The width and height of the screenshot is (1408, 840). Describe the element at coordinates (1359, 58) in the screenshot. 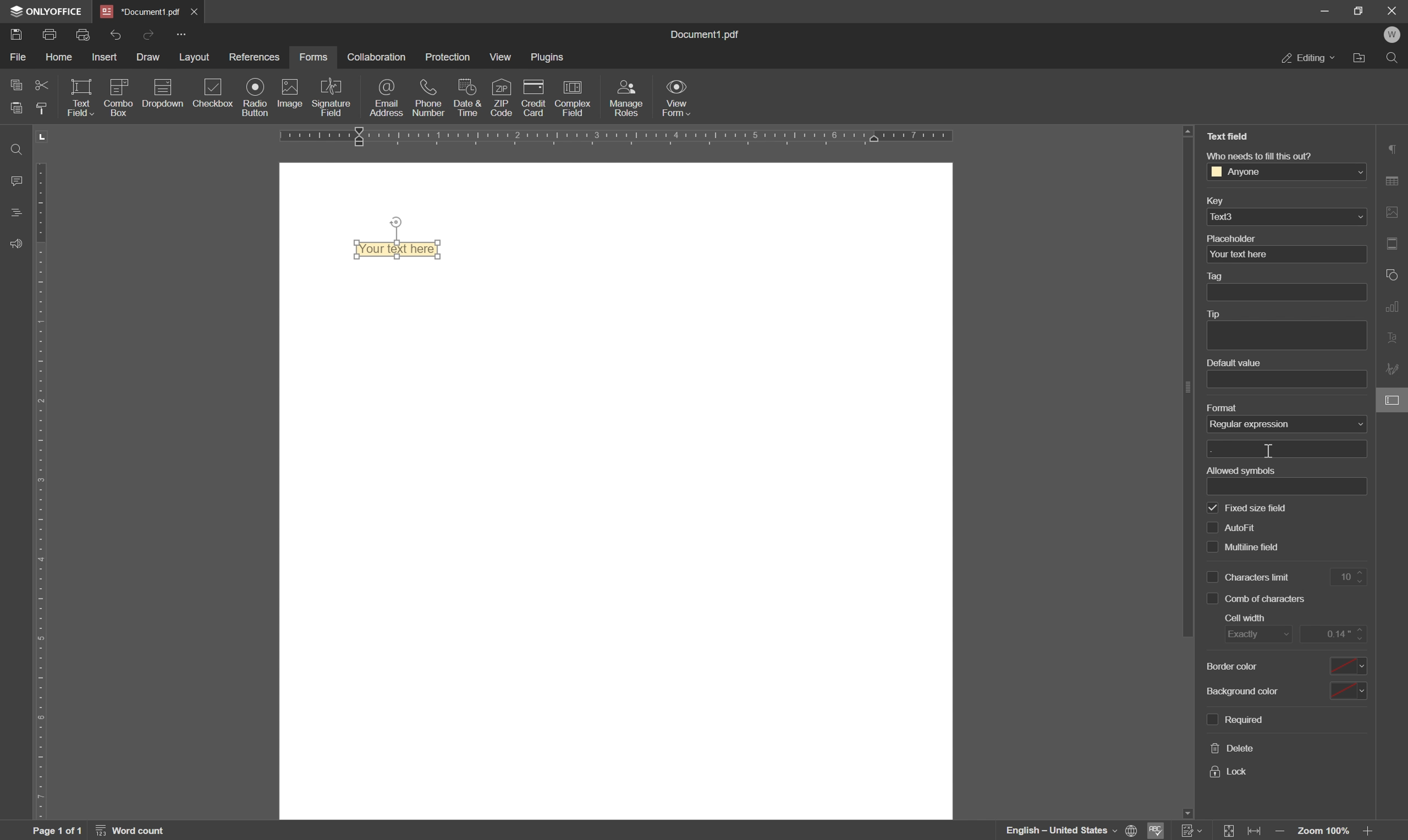

I see `open file location` at that location.